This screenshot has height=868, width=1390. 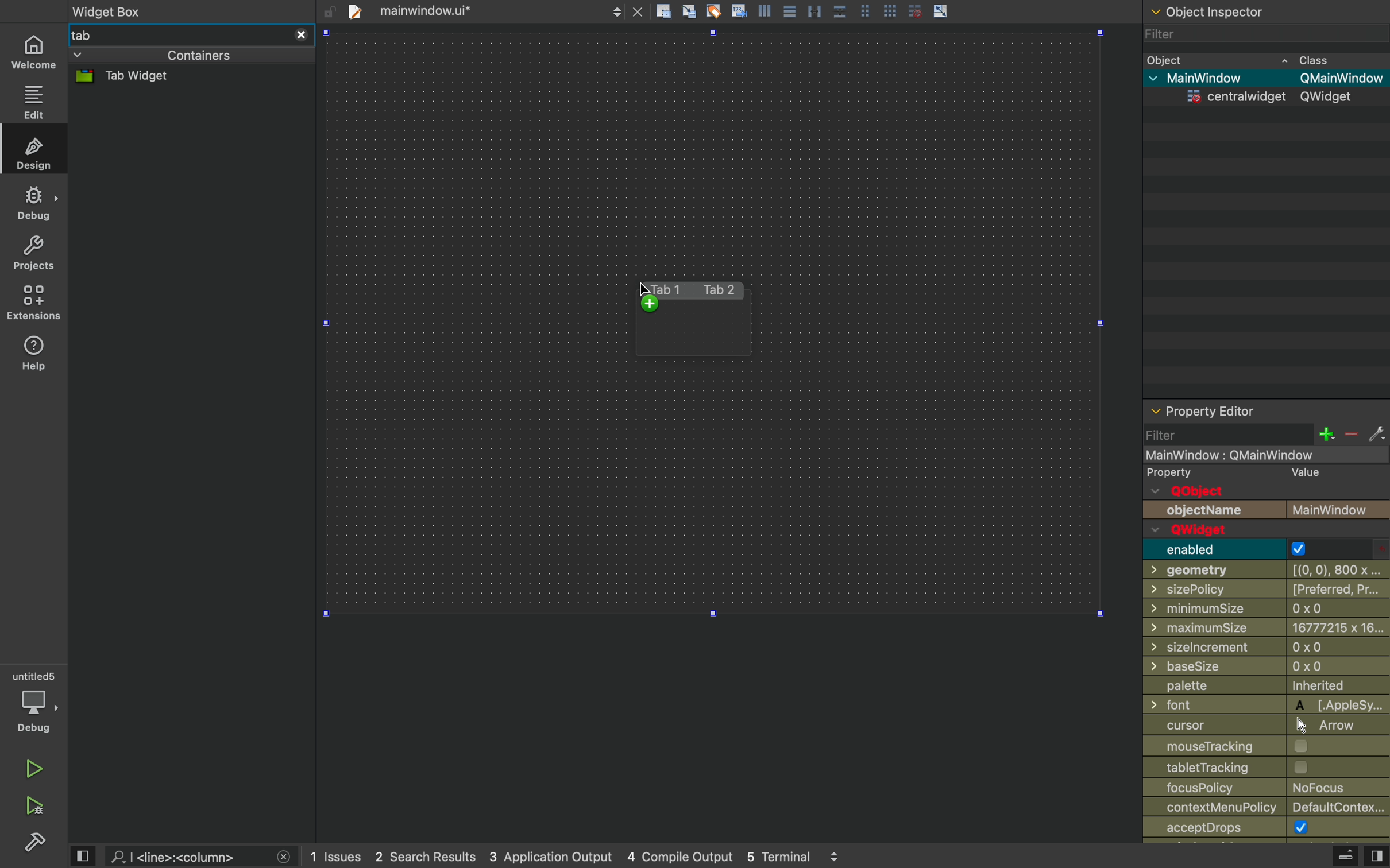 What do you see at coordinates (175, 34) in the screenshot?
I see `tab` at bounding box center [175, 34].